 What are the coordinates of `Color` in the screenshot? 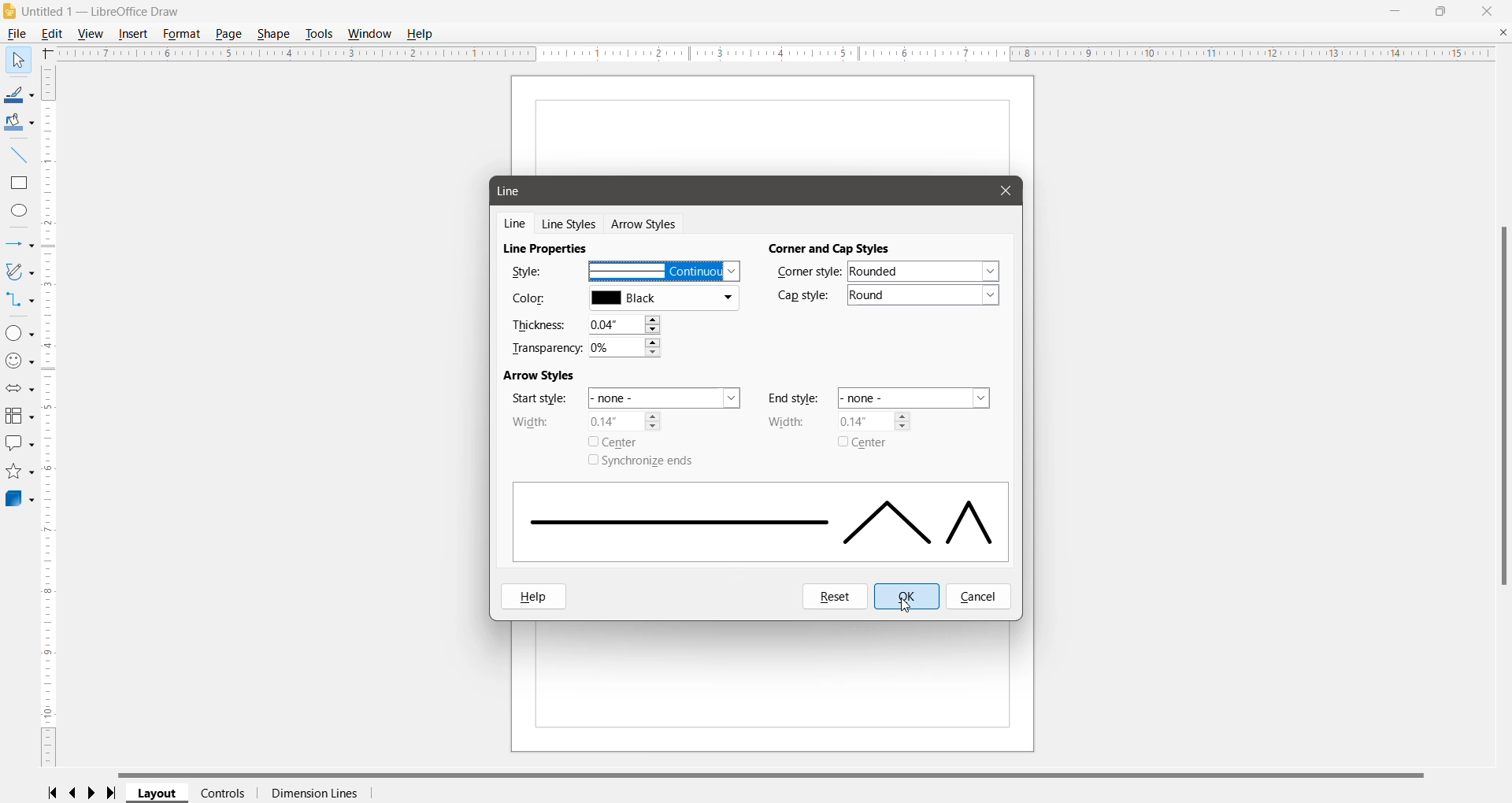 It's located at (532, 299).